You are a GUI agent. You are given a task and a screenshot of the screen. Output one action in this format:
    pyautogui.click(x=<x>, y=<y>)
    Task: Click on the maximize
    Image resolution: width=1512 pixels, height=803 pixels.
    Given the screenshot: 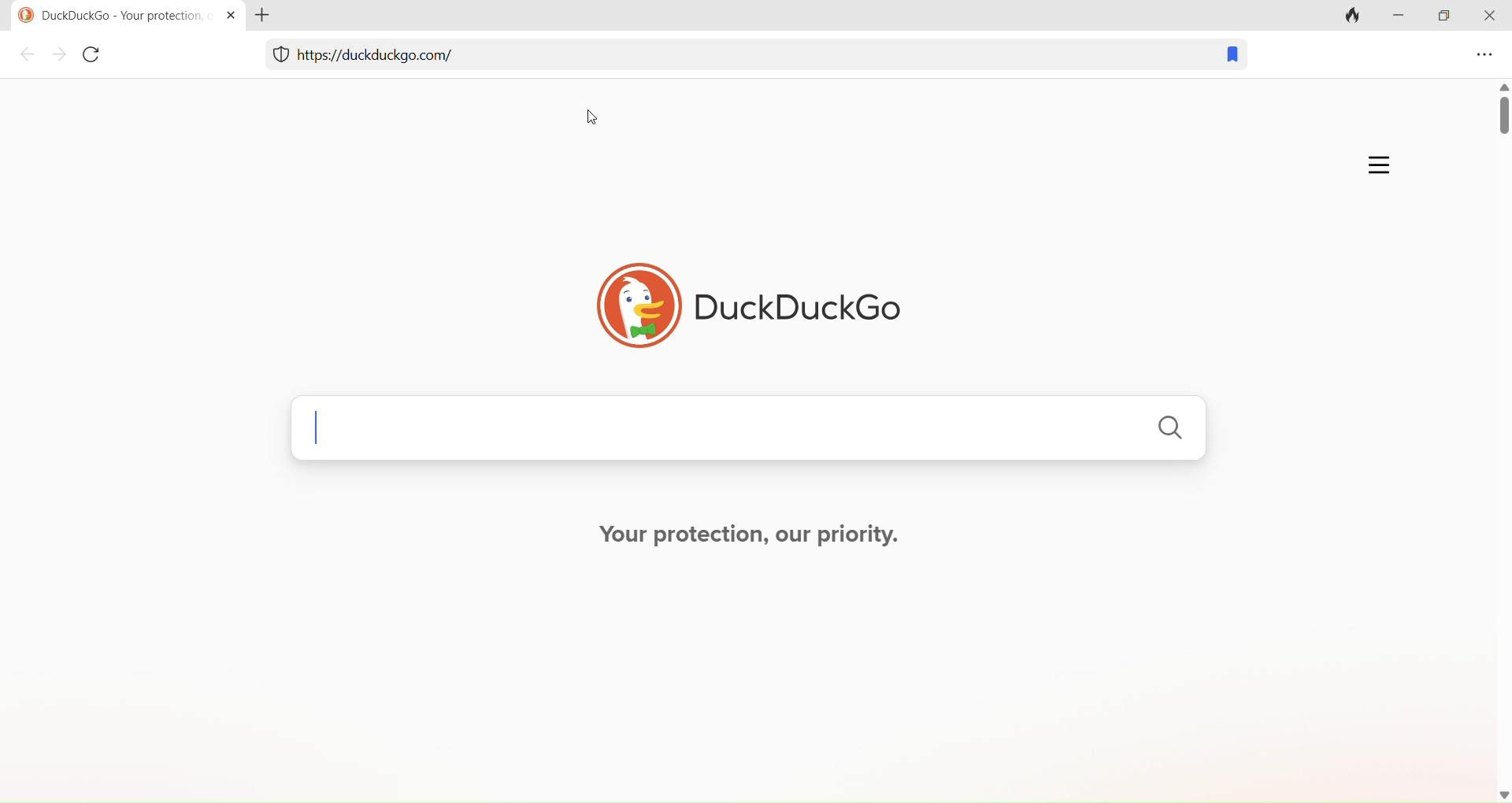 What is the action you would take?
    pyautogui.click(x=1444, y=19)
    